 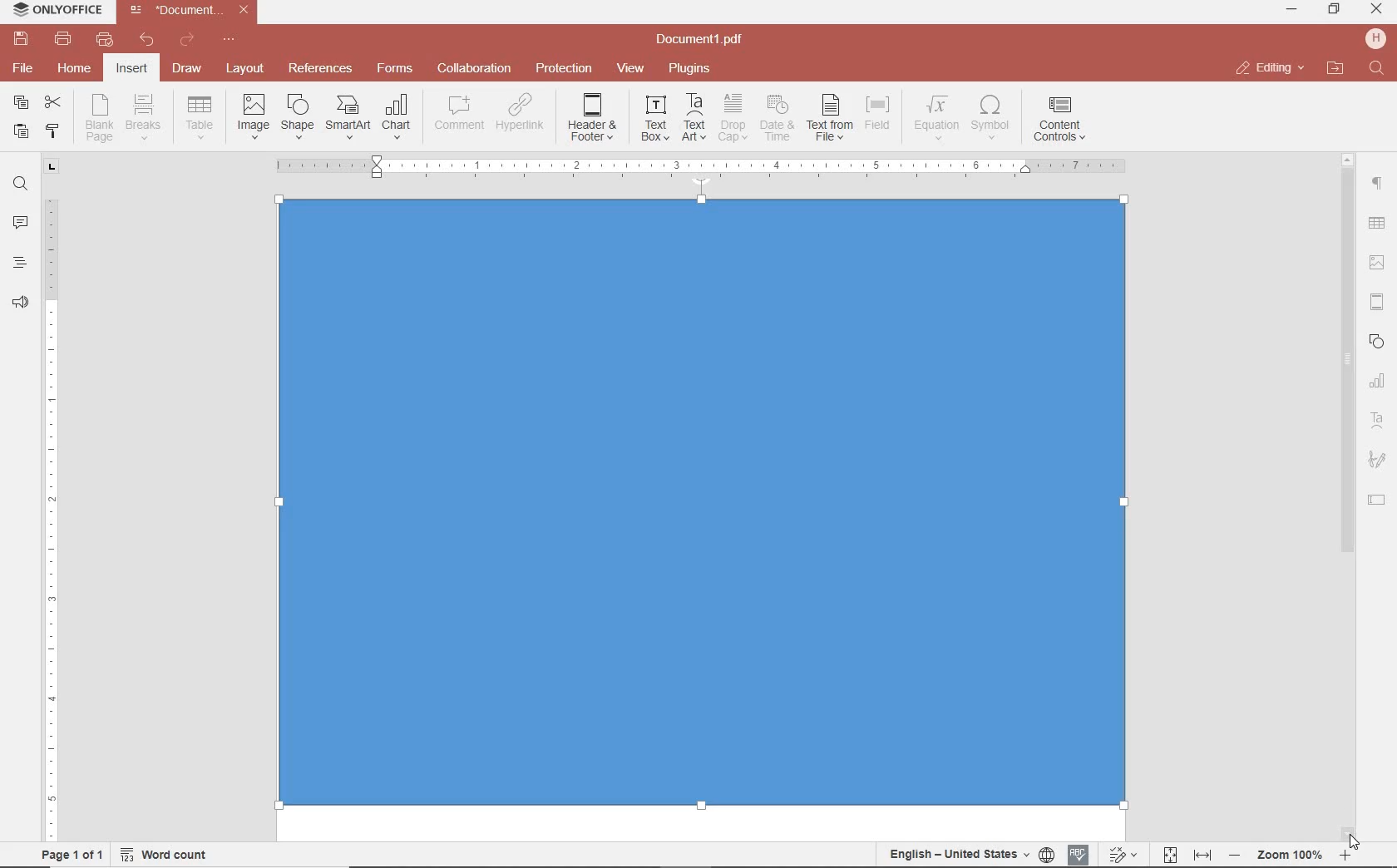 I want to click on DROP CAP, so click(x=733, y=118).